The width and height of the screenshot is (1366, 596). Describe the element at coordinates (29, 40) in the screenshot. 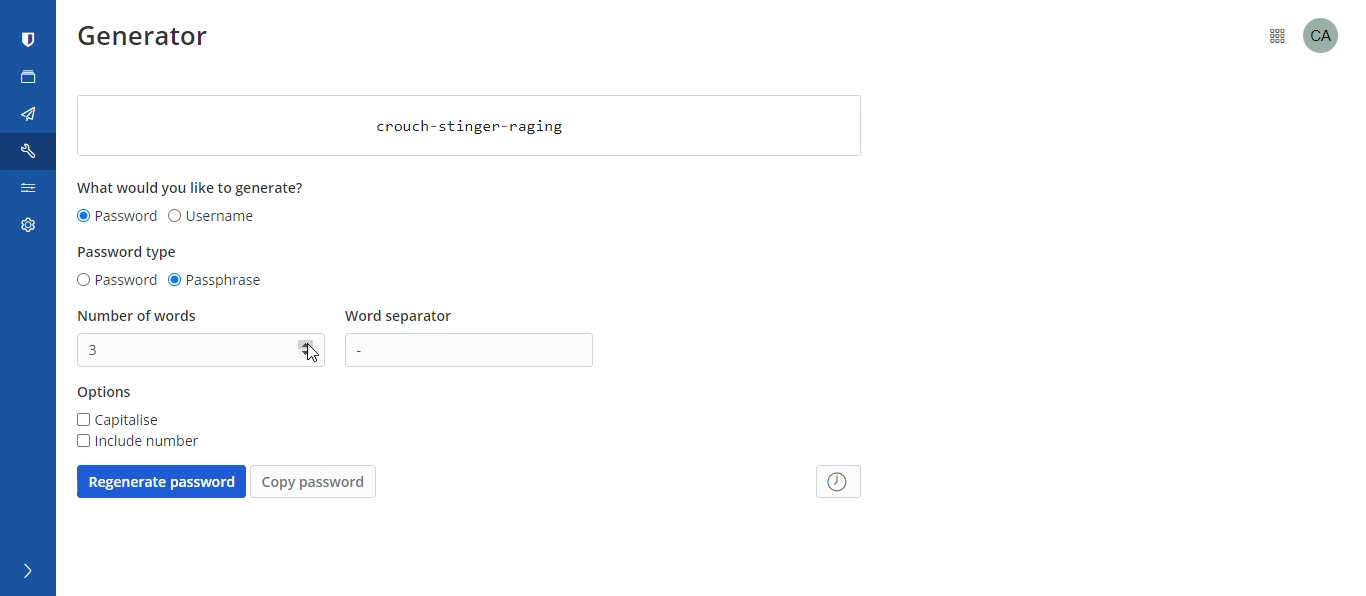

I see `bitwarden logo` at that location.